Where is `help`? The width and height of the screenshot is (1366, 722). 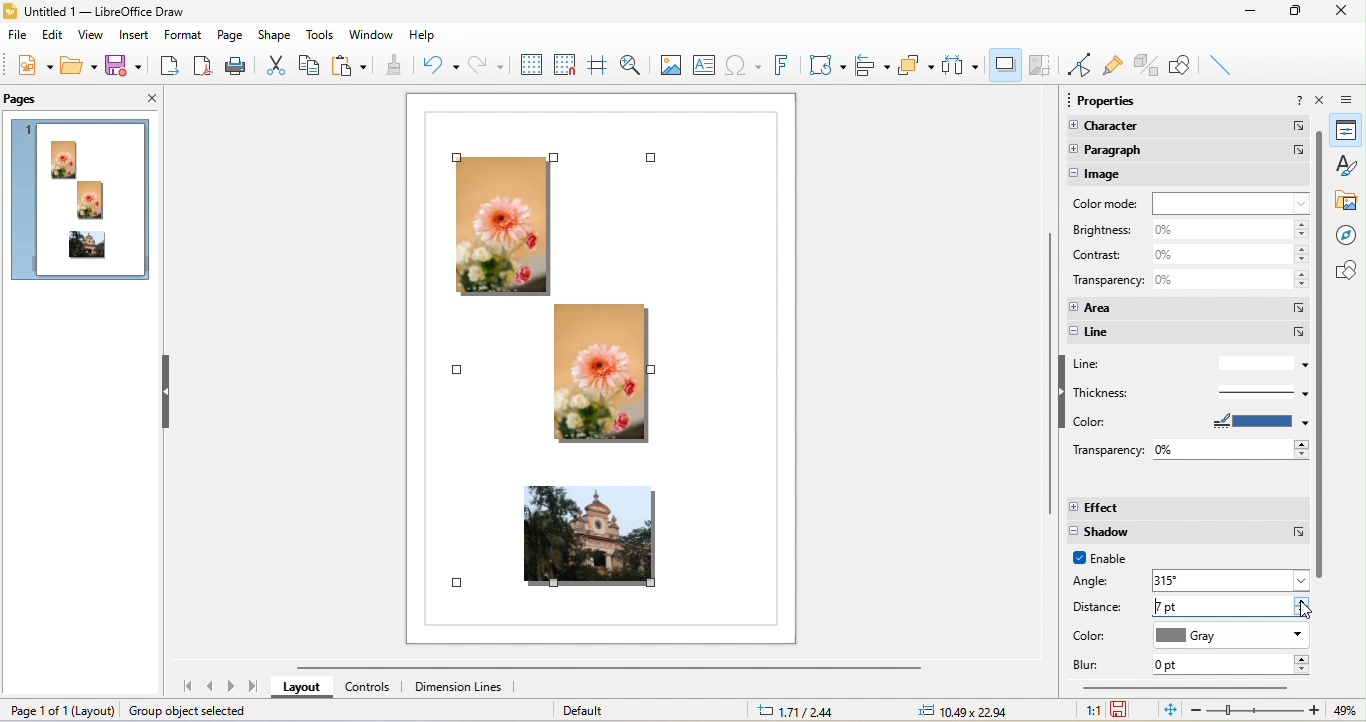 help is located at coordinates (420, 37).